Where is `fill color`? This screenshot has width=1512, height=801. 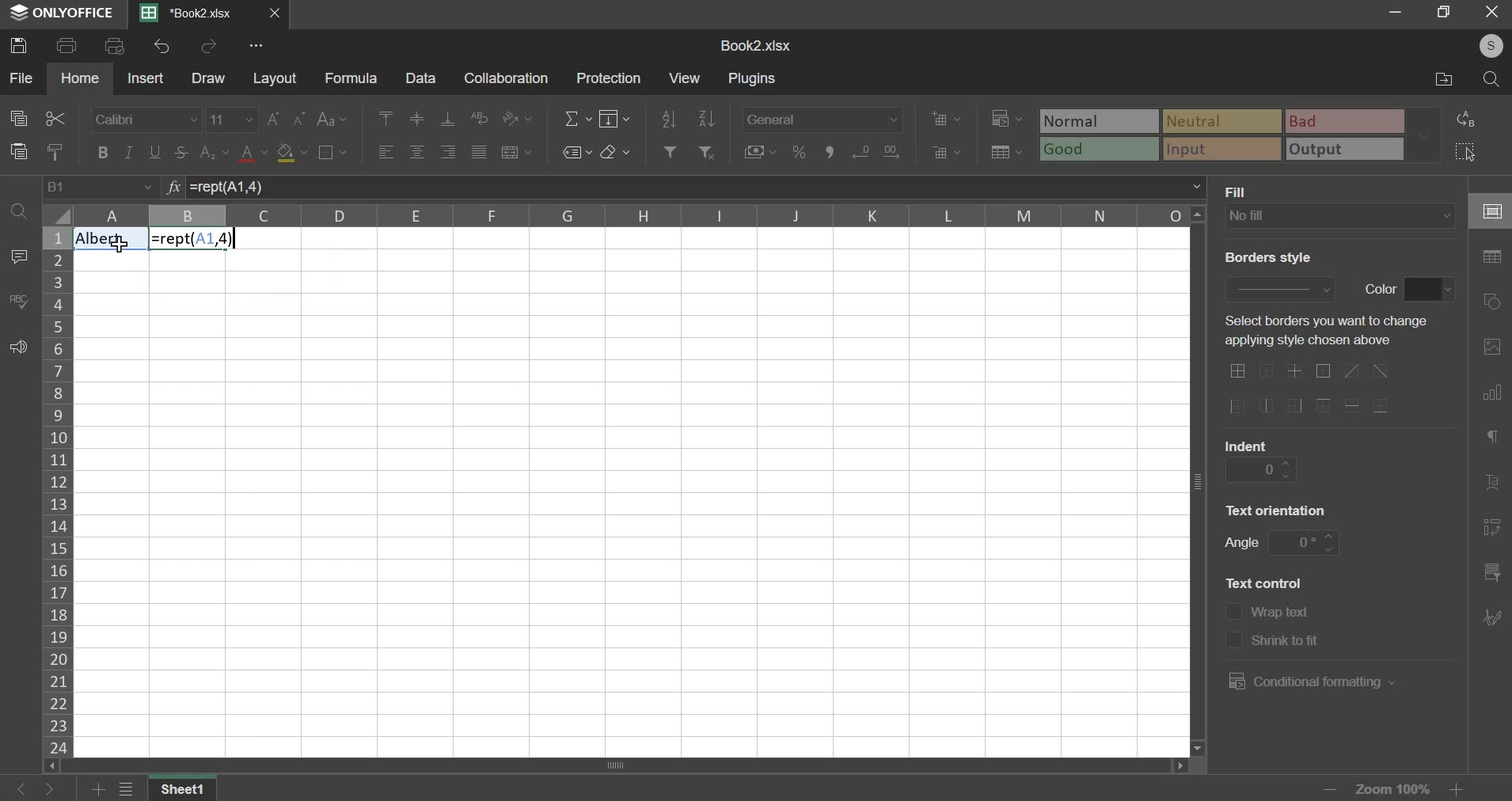
fill color is located at coordinates (292, 153).